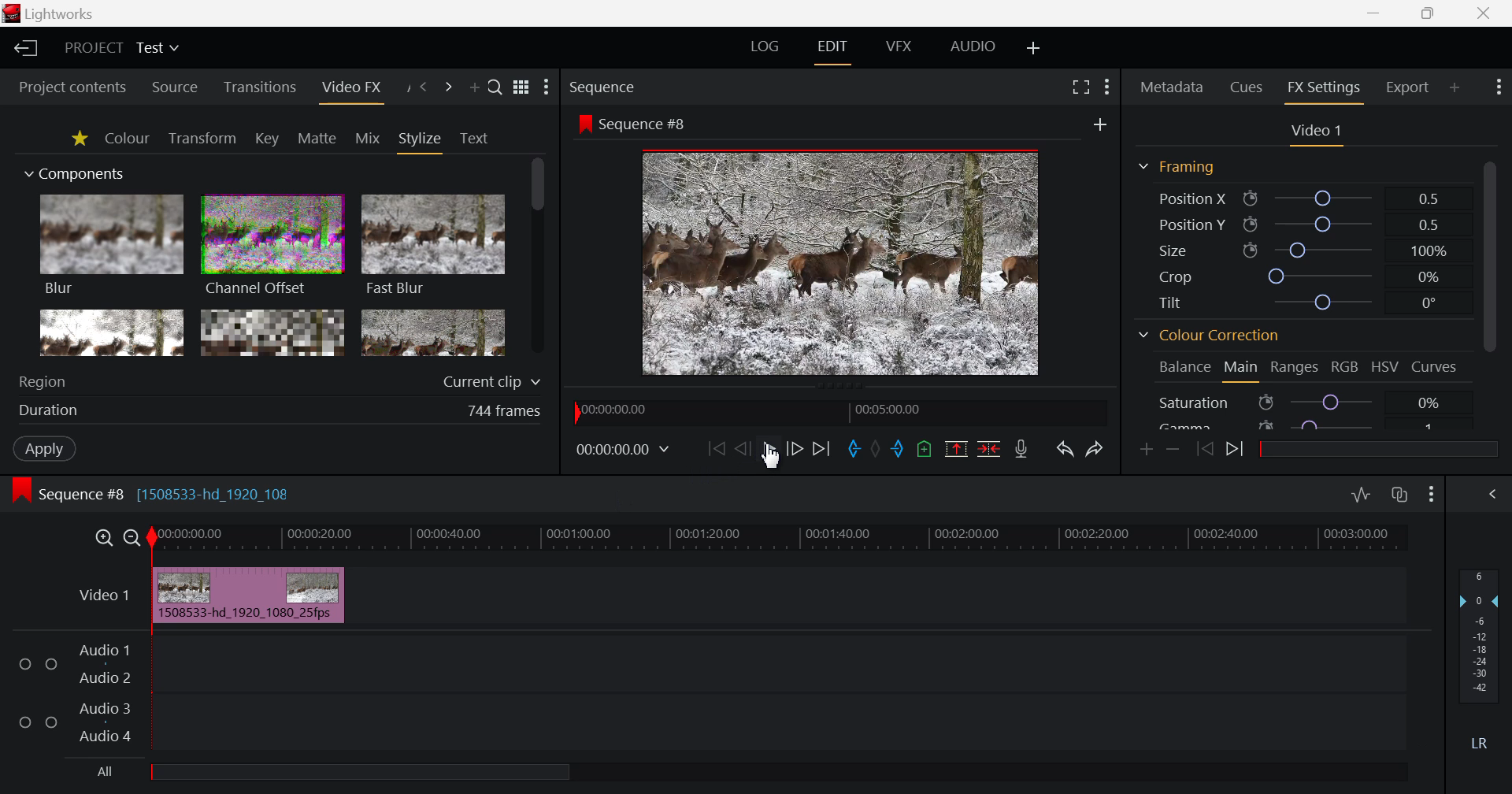 This screenshot has width=1512, height=794. I want to click on Saturation, so click(1310, 400).